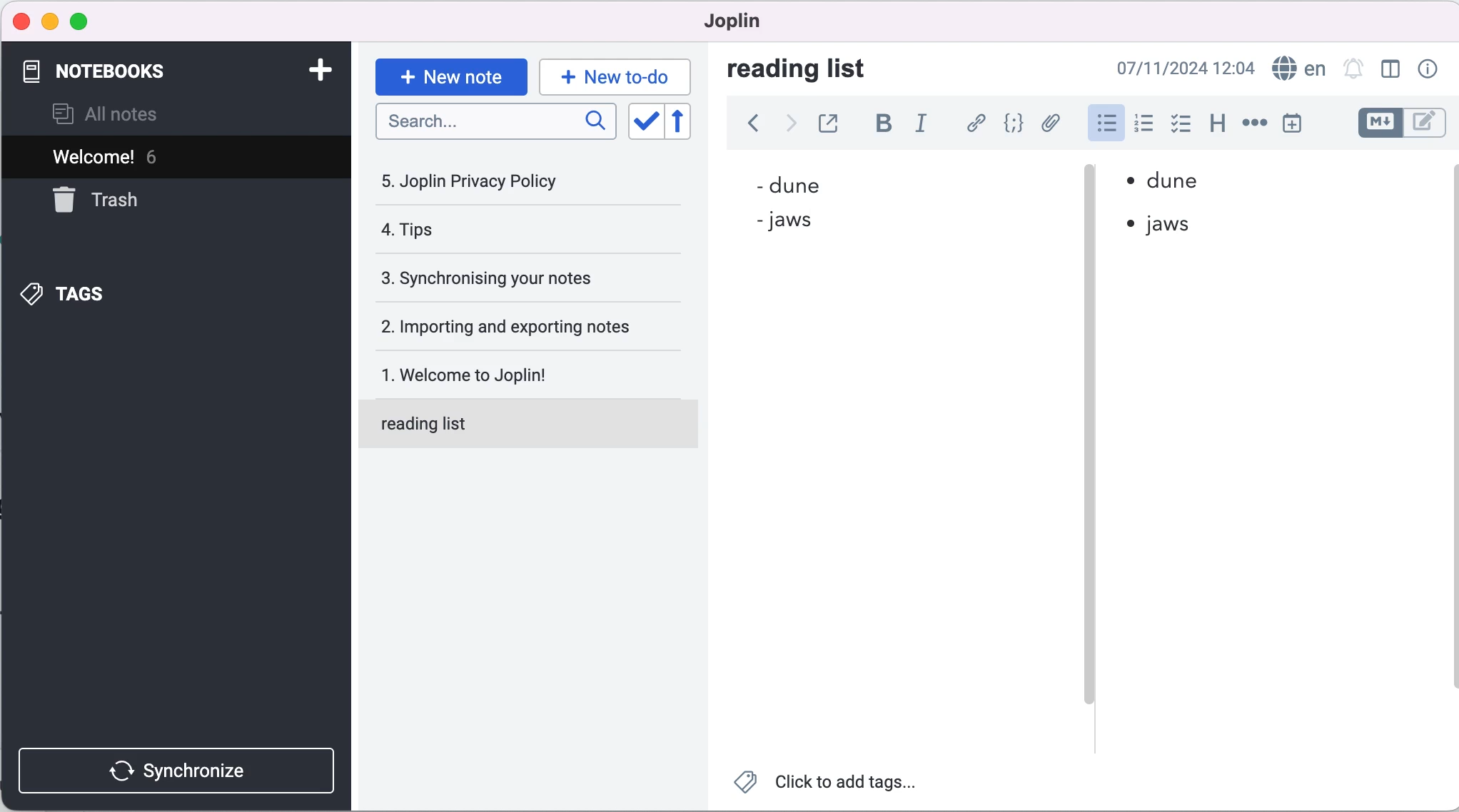 This screenshot has height=812, width=1459. Describe the element at coordinates (1432, 68) in the screenshot. I see `note properties` at that location.